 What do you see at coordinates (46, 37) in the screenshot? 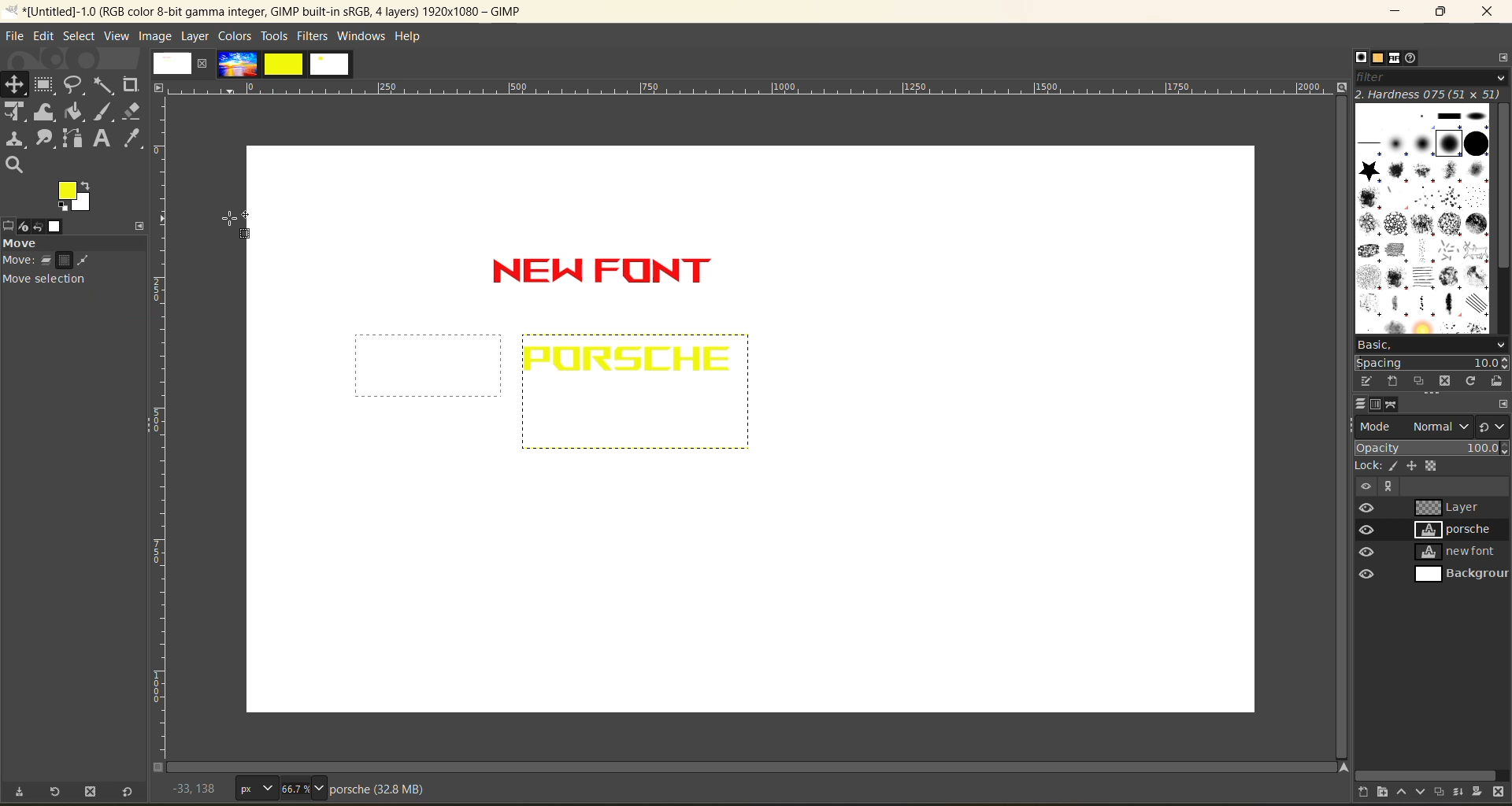
I see `edit` at bounding box center [46, 37].